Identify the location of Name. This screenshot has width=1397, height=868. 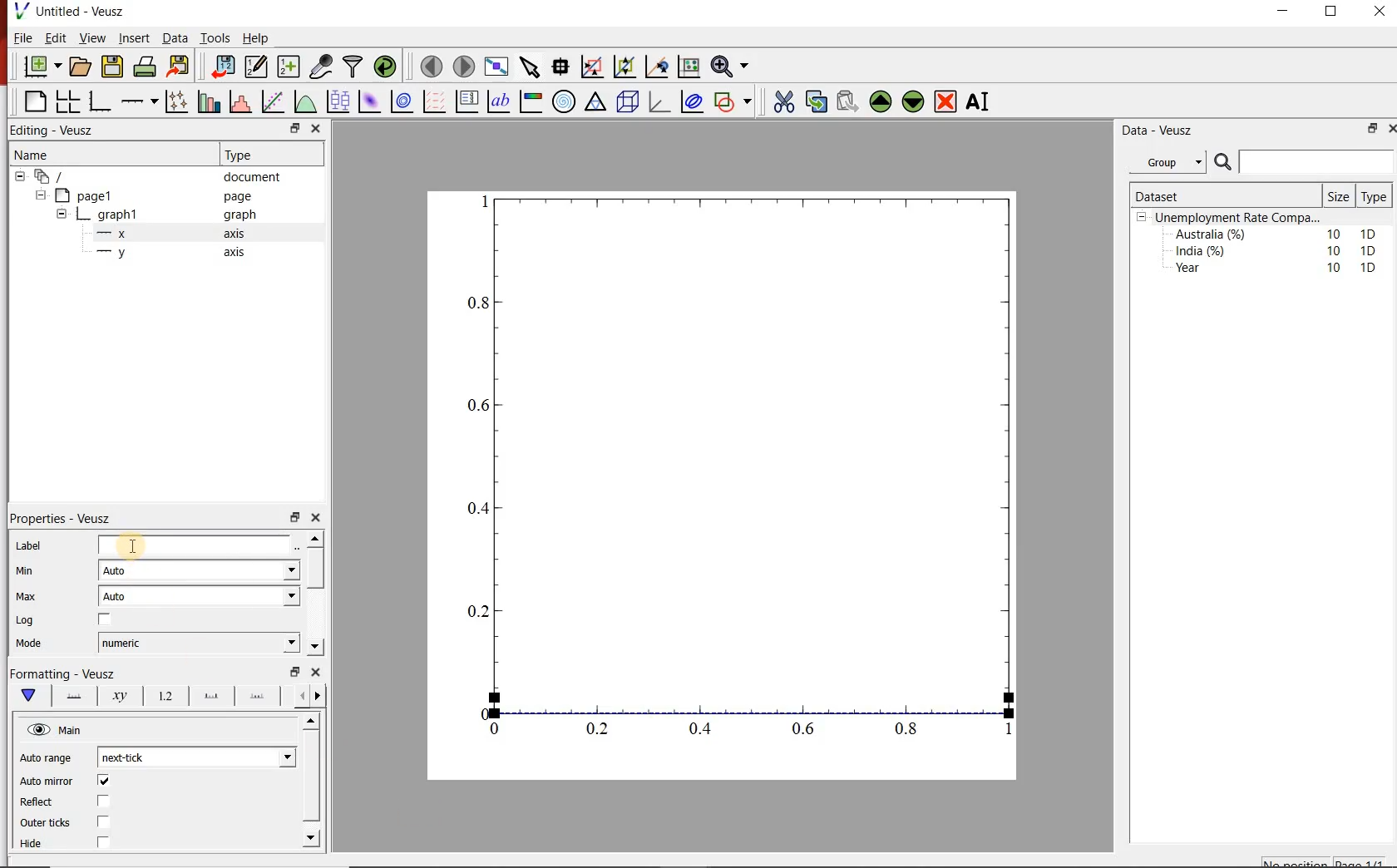
(105, 153).